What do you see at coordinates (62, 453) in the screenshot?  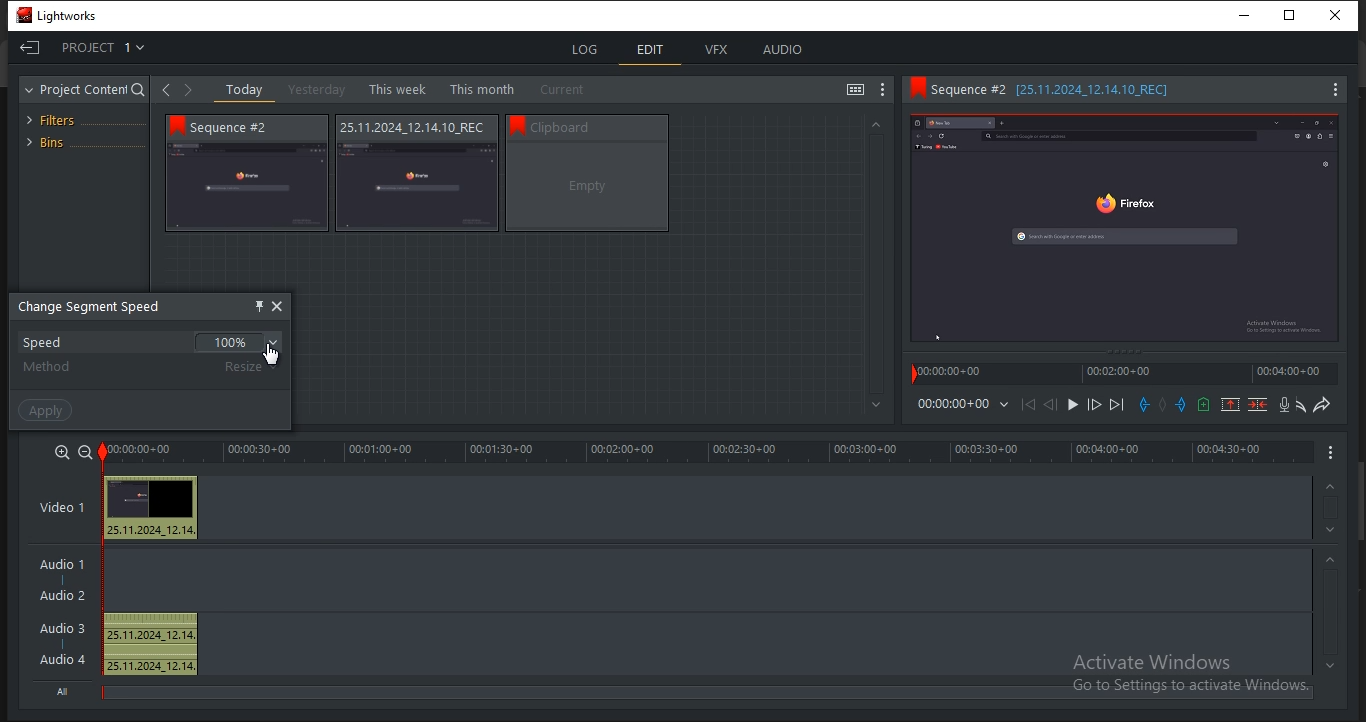 I see `zoom in` at bounding box center [62, 453].